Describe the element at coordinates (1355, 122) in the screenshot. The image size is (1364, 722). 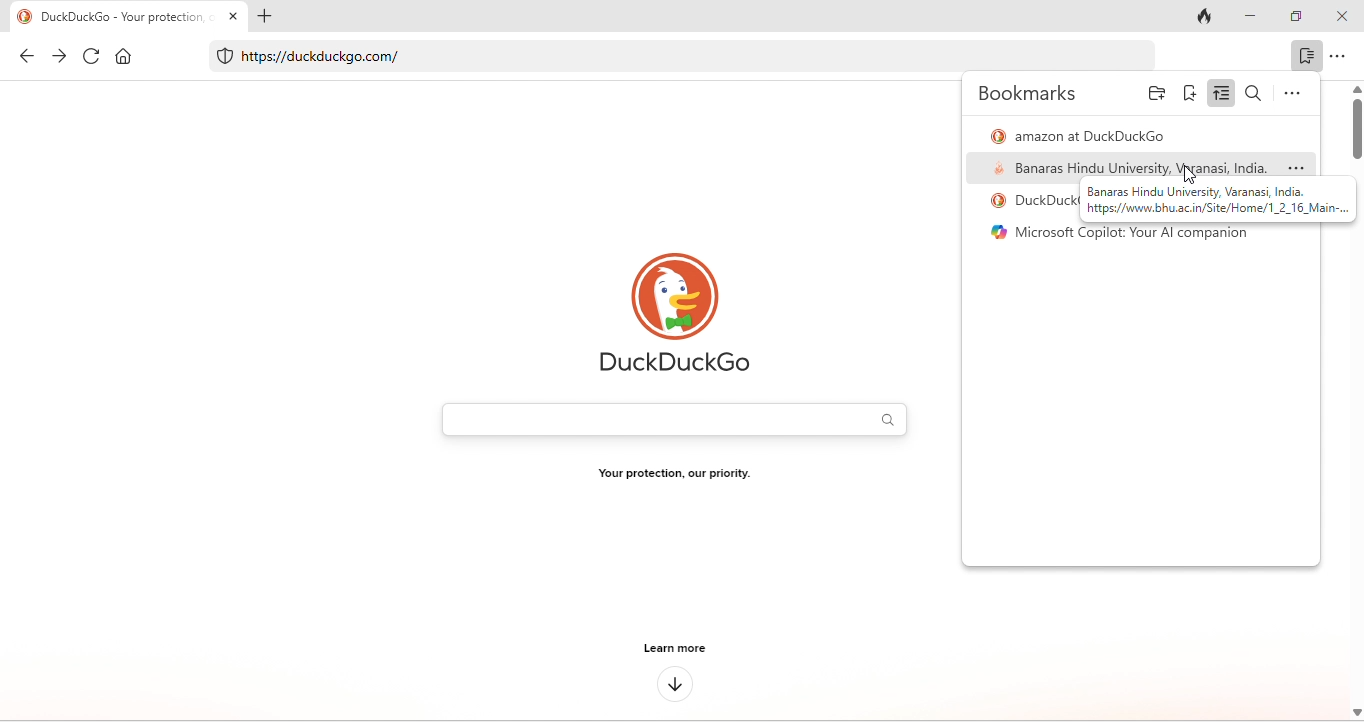
I see `vertical scroll bar` at that location.